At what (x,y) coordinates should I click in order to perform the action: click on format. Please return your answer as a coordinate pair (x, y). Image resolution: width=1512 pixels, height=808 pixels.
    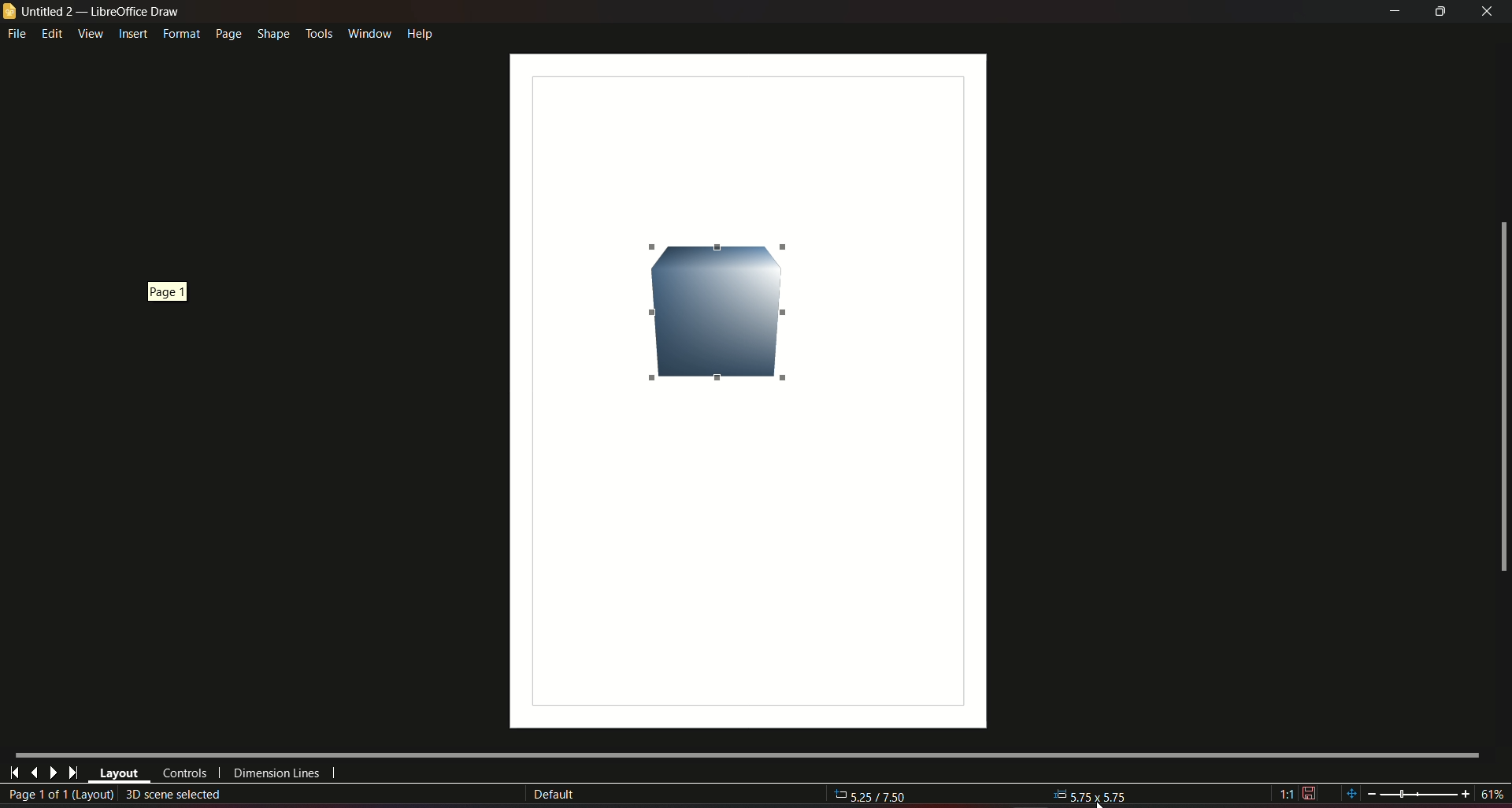
    Looking at the image, I should click on (180, 34).